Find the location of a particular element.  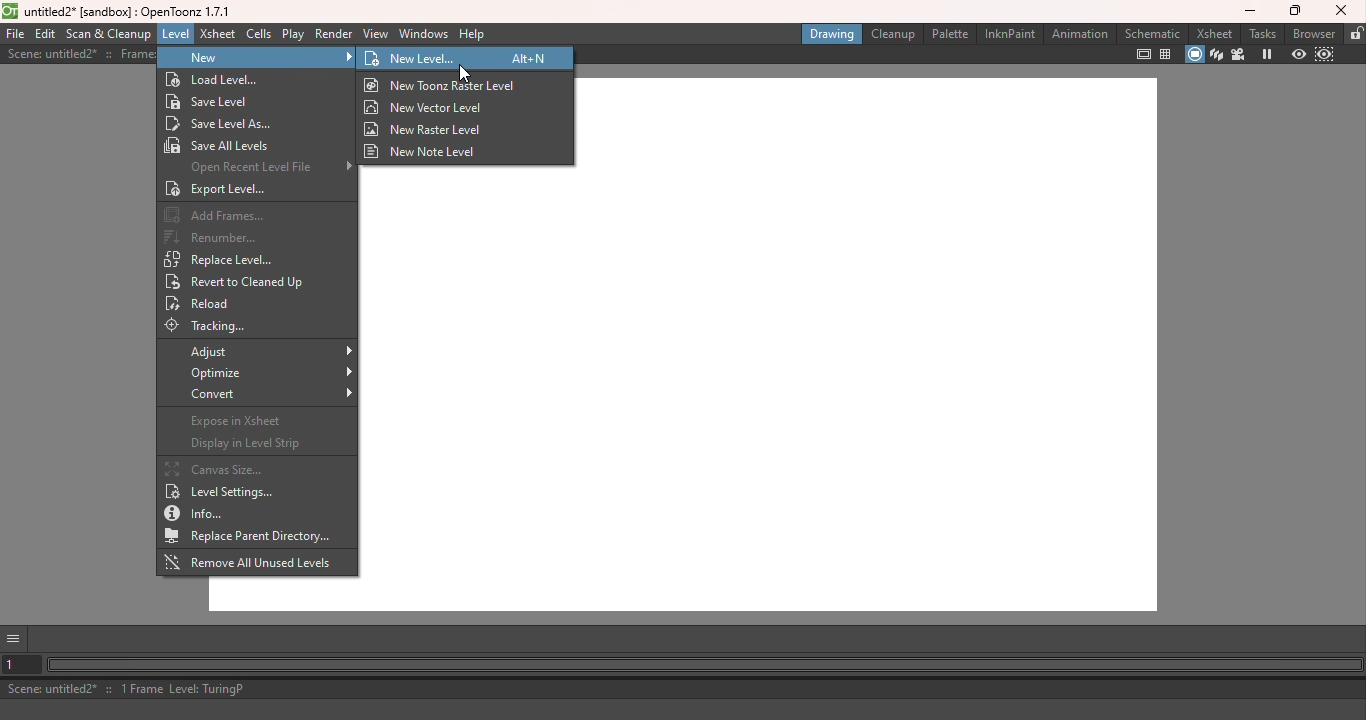

Reload is located at coordinates (209, 306).